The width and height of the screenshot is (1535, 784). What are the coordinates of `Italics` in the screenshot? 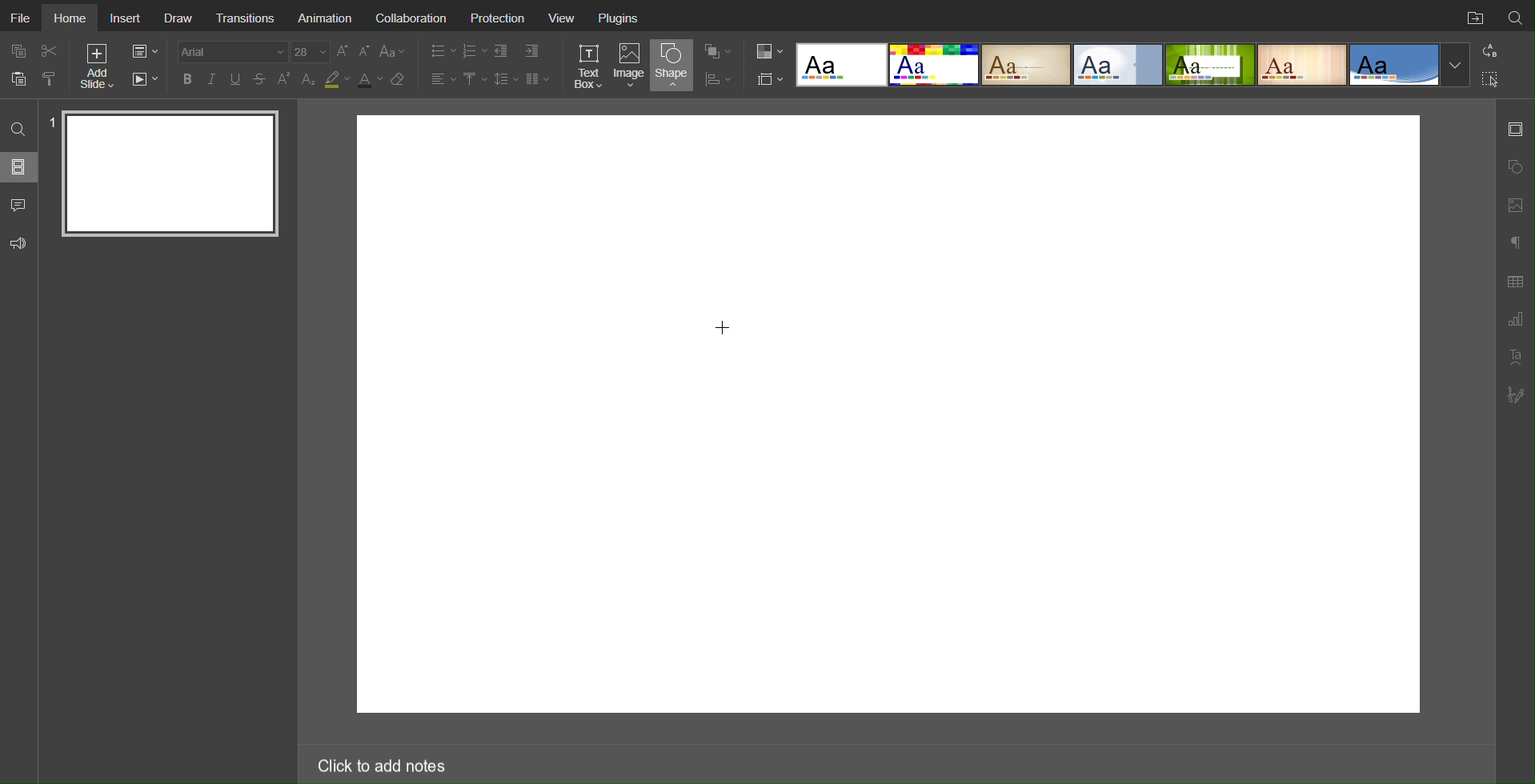 It's located at (212, 79).